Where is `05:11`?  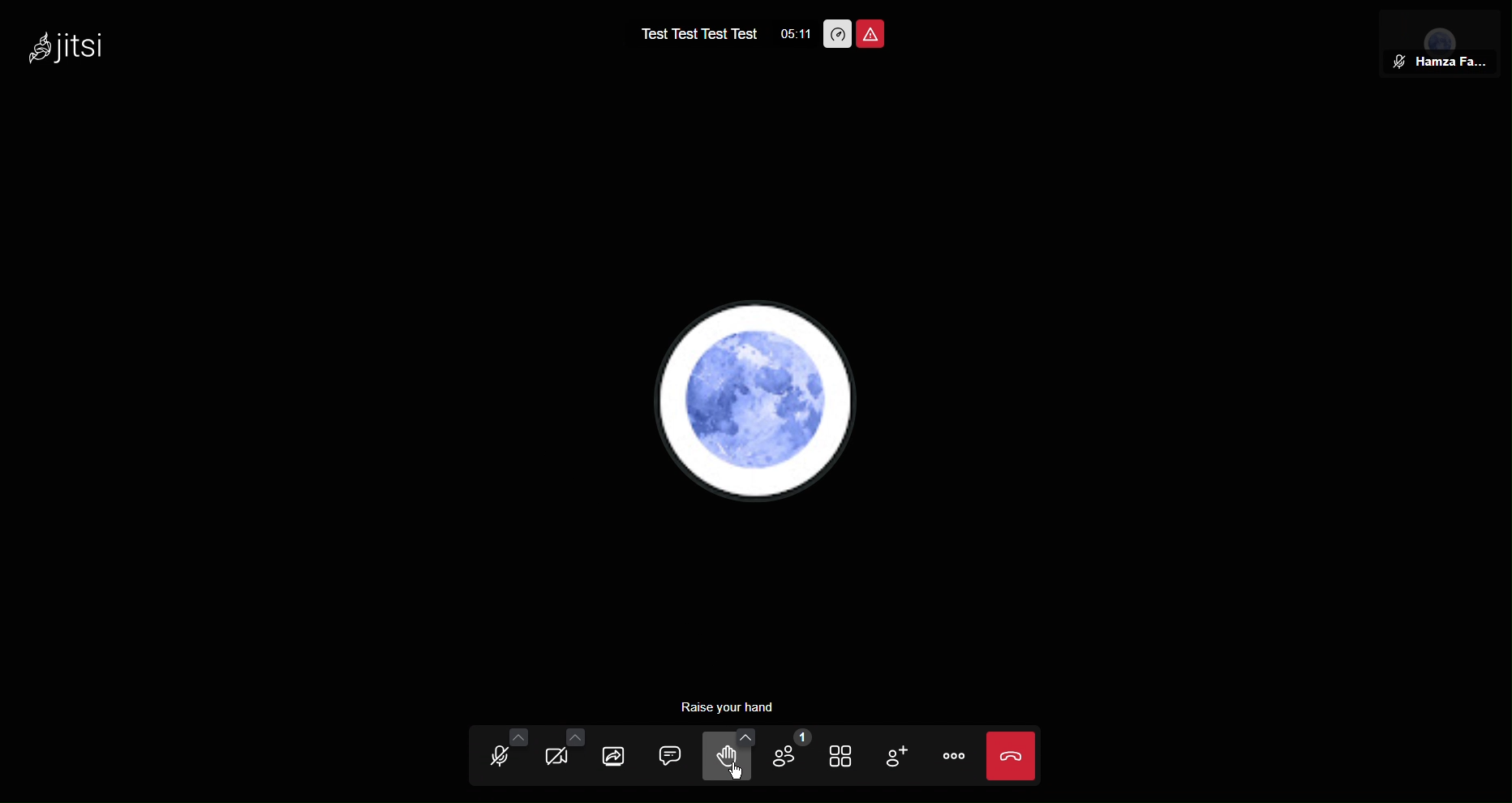
05:11 is located at coordinates (792, 34).